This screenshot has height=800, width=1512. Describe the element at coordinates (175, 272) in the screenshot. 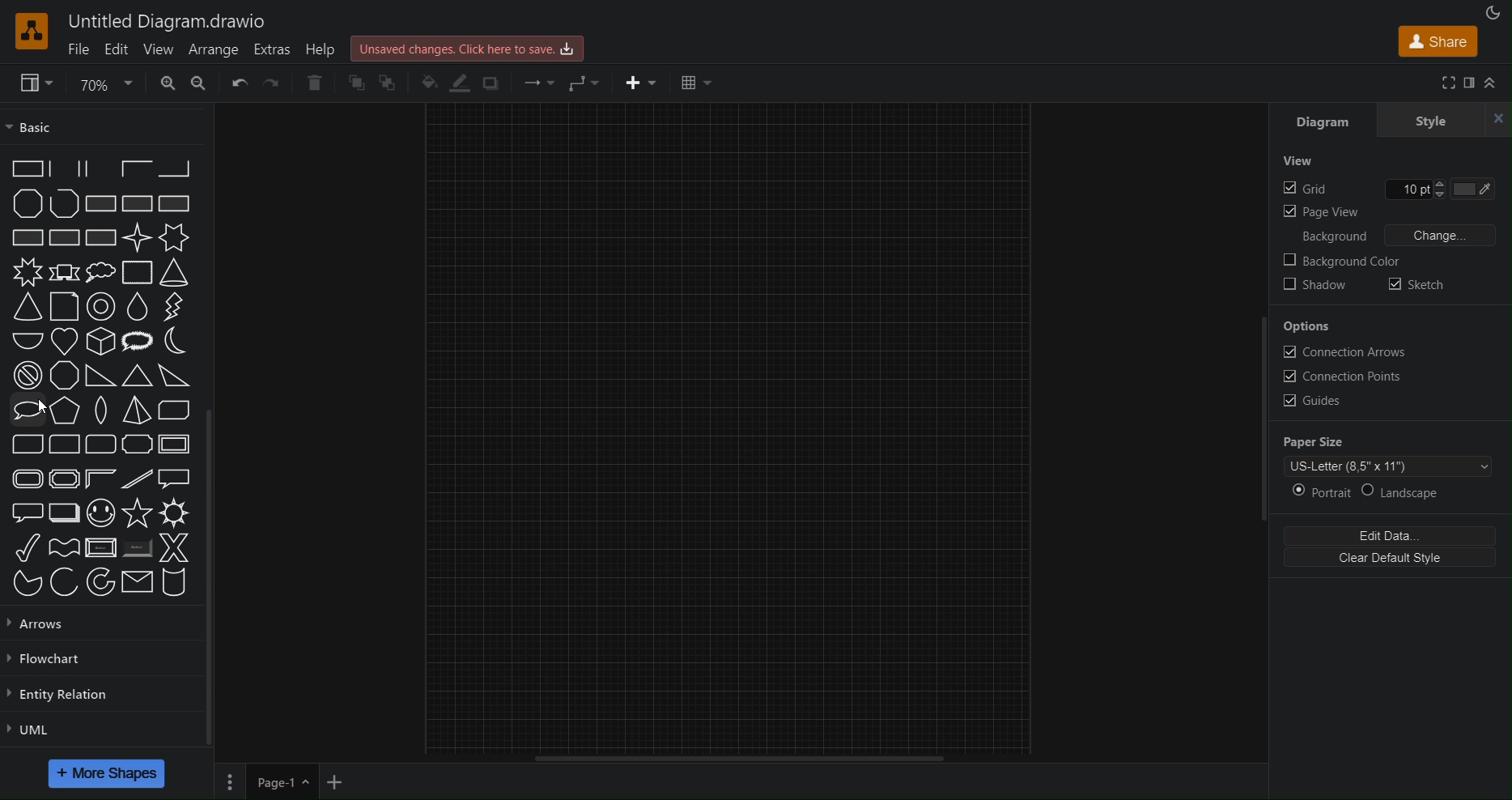

I see `Cone` at that location.